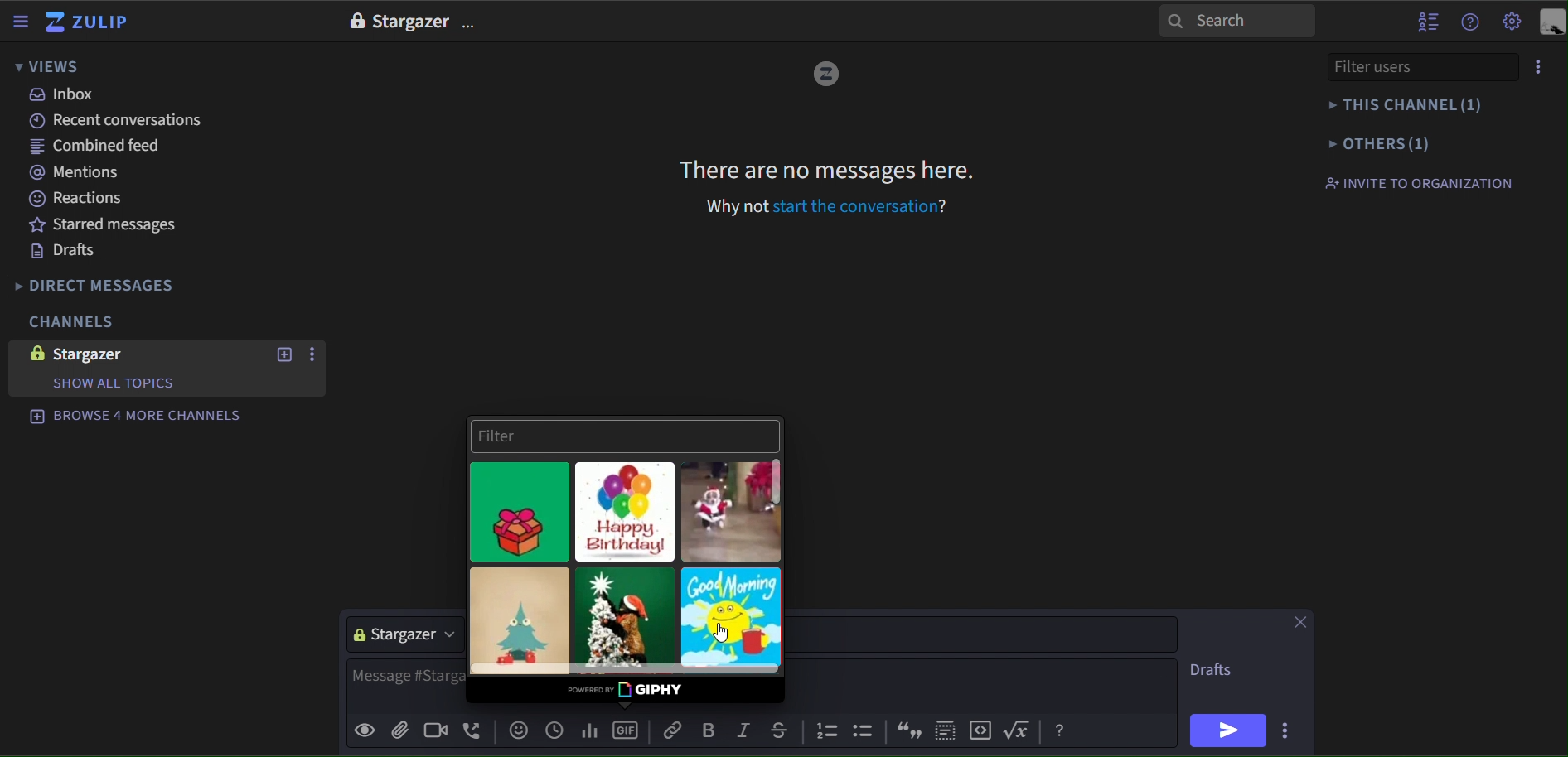  What do you see at coordinates (1021, 730) in the screenshot?
I see `icon` at bounding box center [1021, 730].